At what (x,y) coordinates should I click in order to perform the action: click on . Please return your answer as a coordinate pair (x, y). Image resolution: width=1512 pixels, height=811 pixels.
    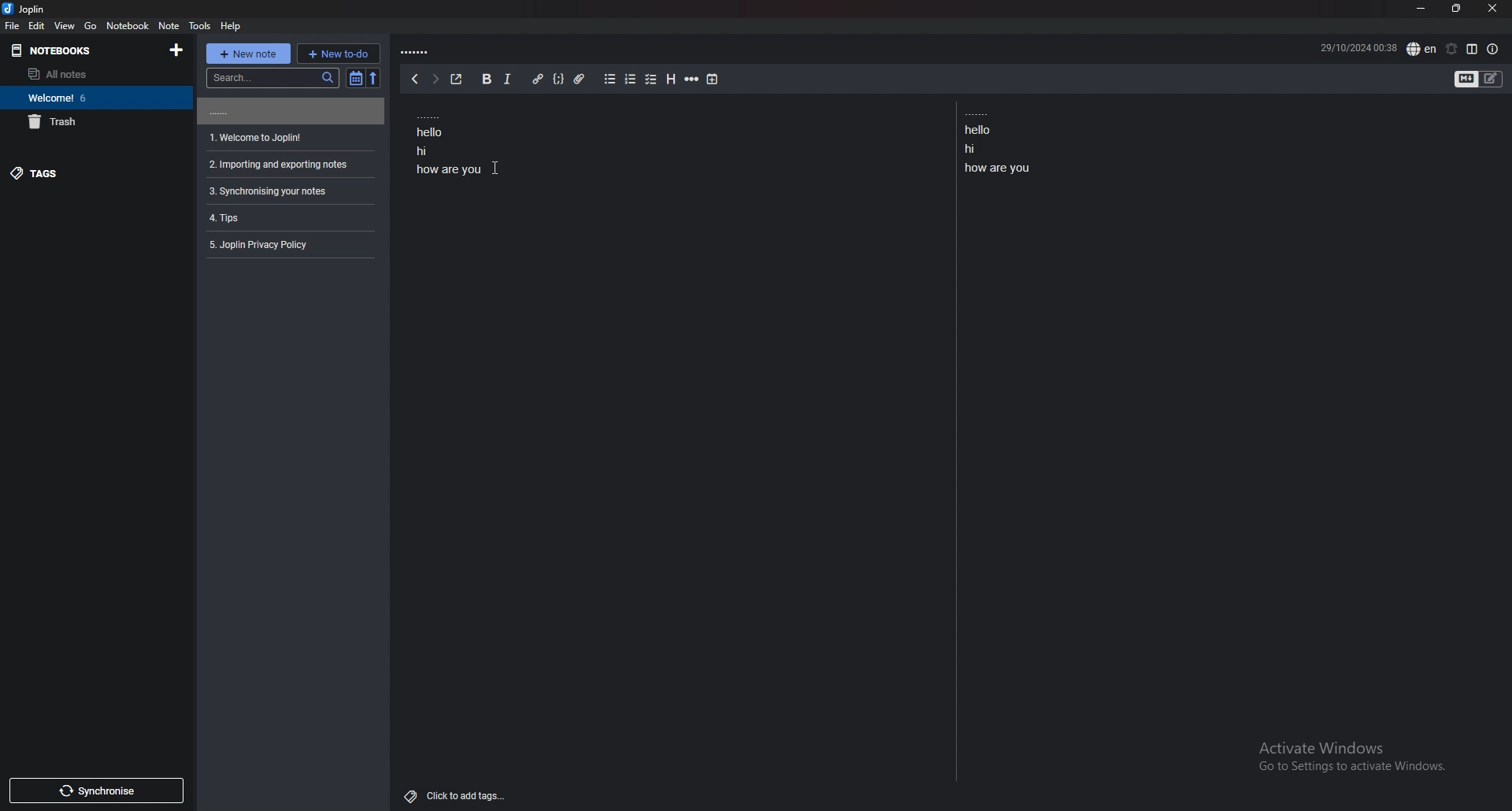
    Looking at the image, I should click on (457, 793).